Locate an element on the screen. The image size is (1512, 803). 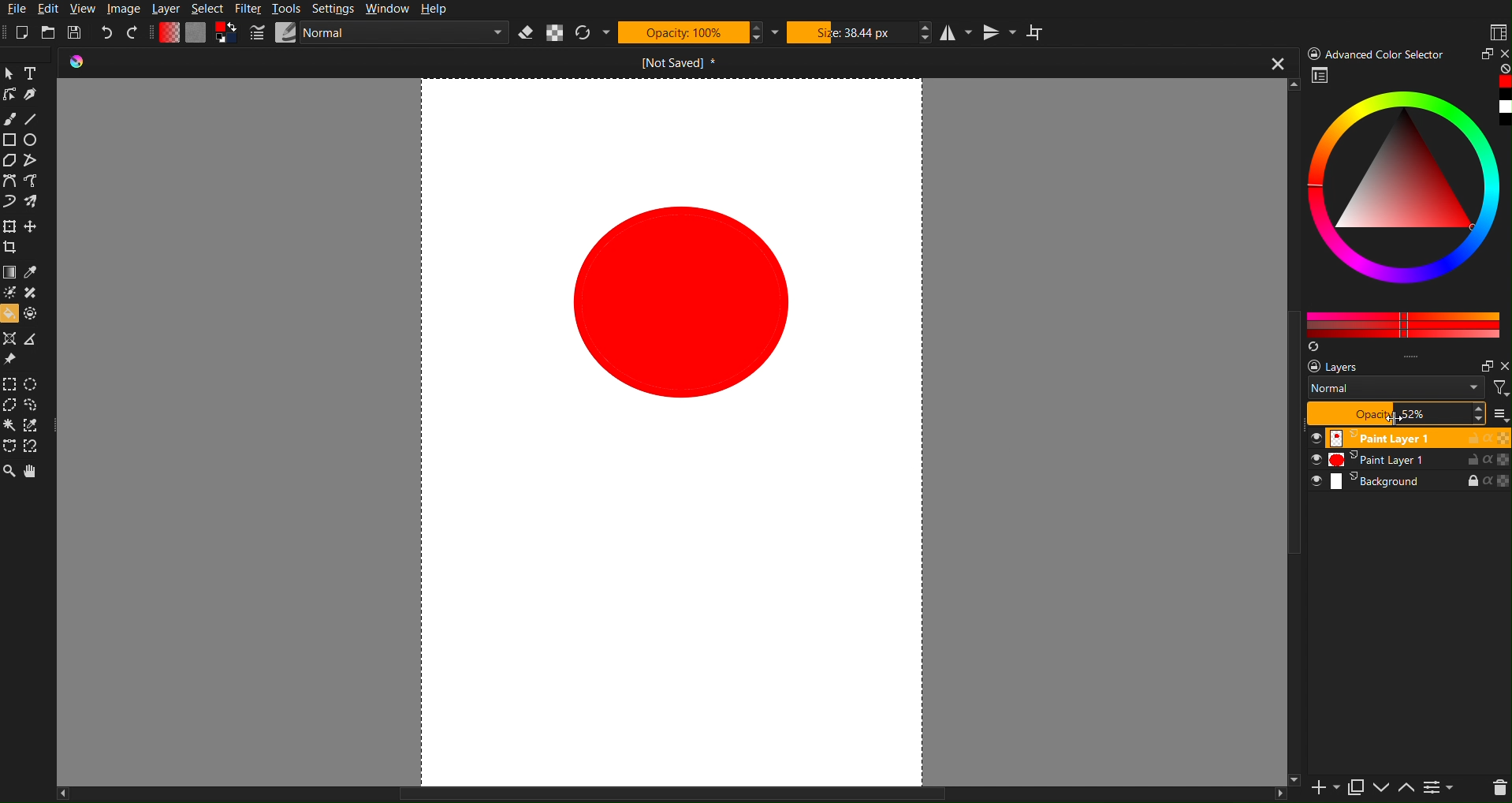
Pan is located at coordinates (33, 472).